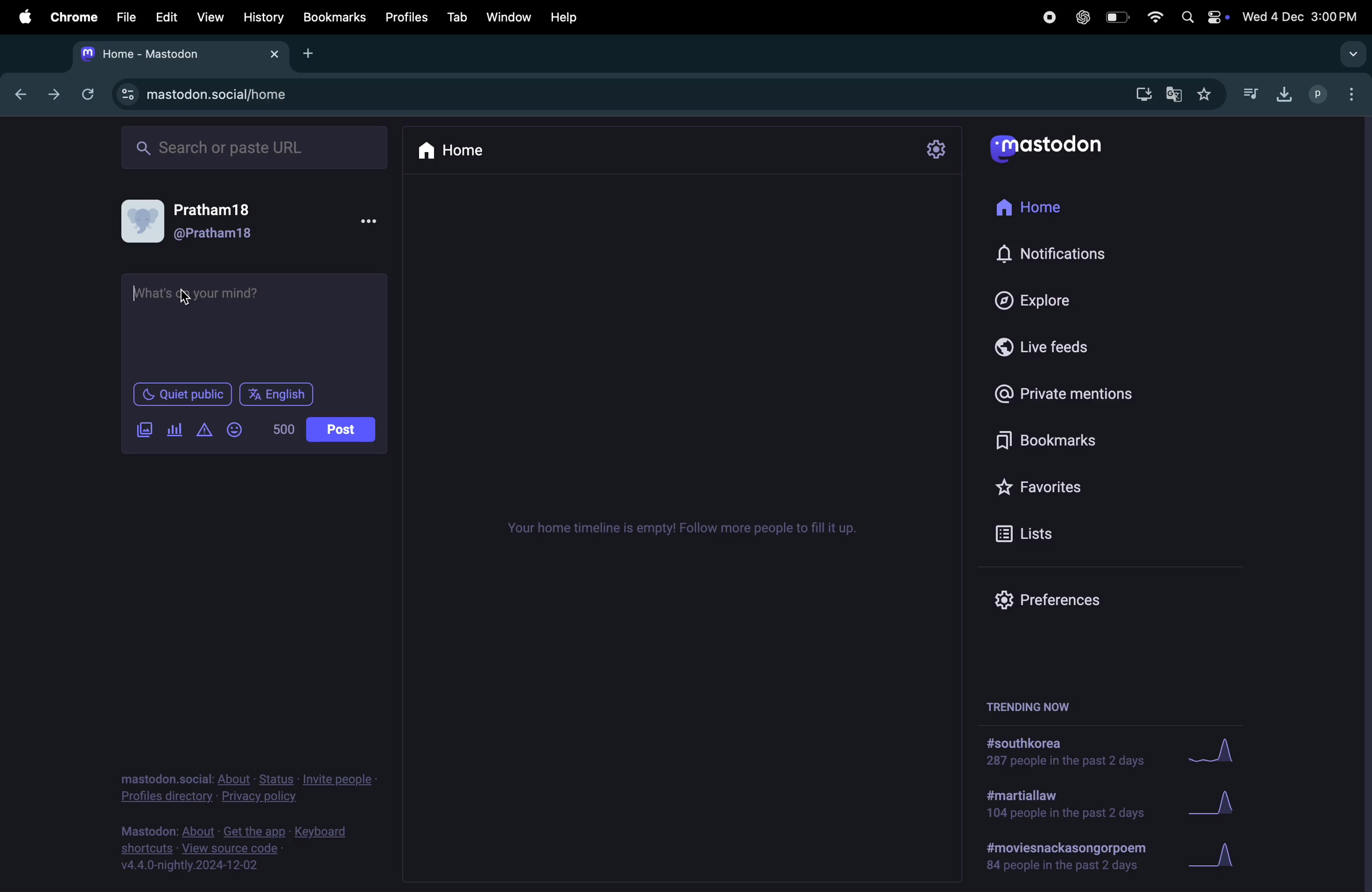 This screenshot has height=892, width=1372. What do you see at coordinates (1053, 345) in the screenshot?
I see `live feeds` at bounding box center [1053, 345].